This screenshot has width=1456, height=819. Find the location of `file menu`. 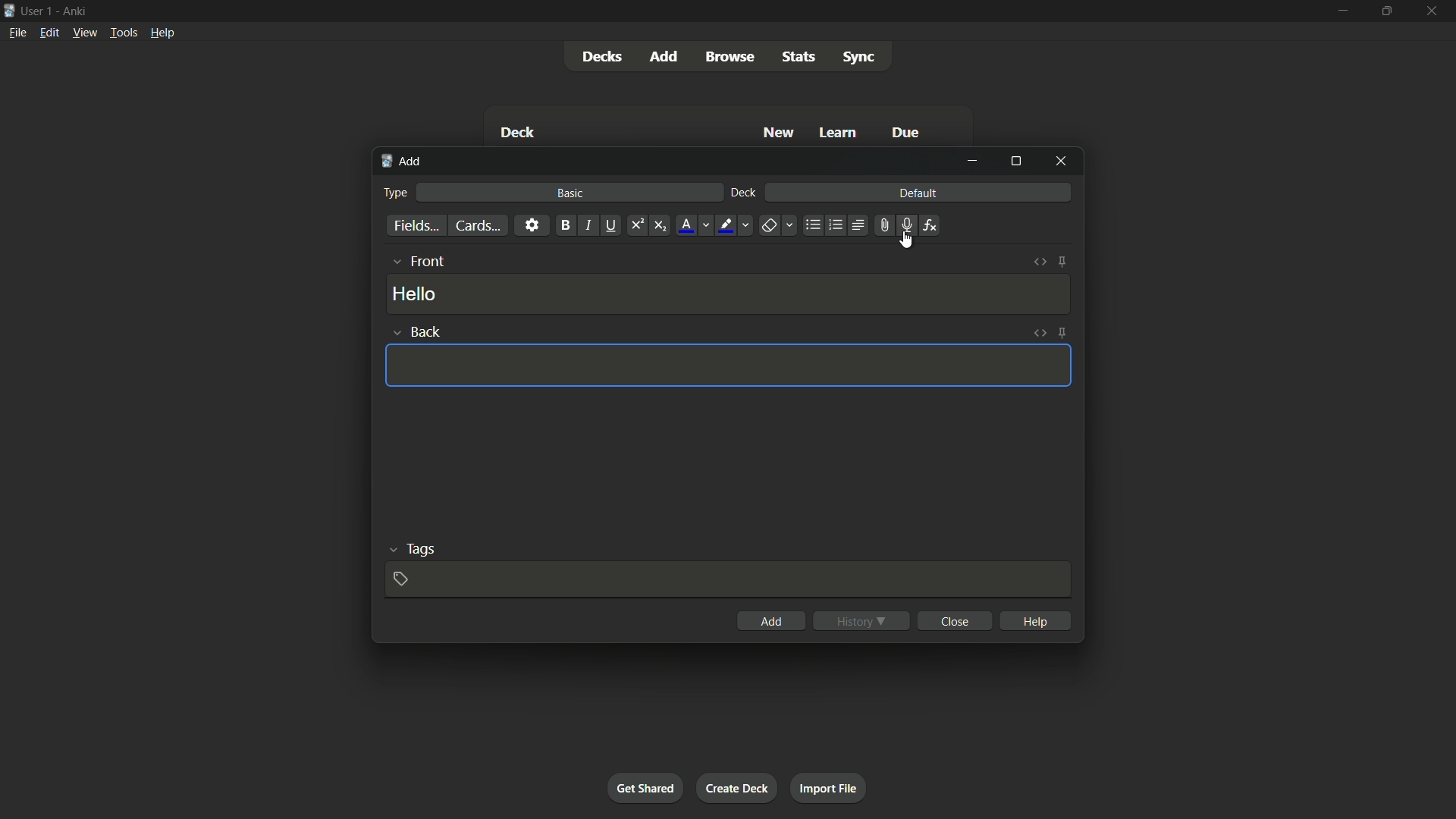

file menu is located at coordinates (18, 33).